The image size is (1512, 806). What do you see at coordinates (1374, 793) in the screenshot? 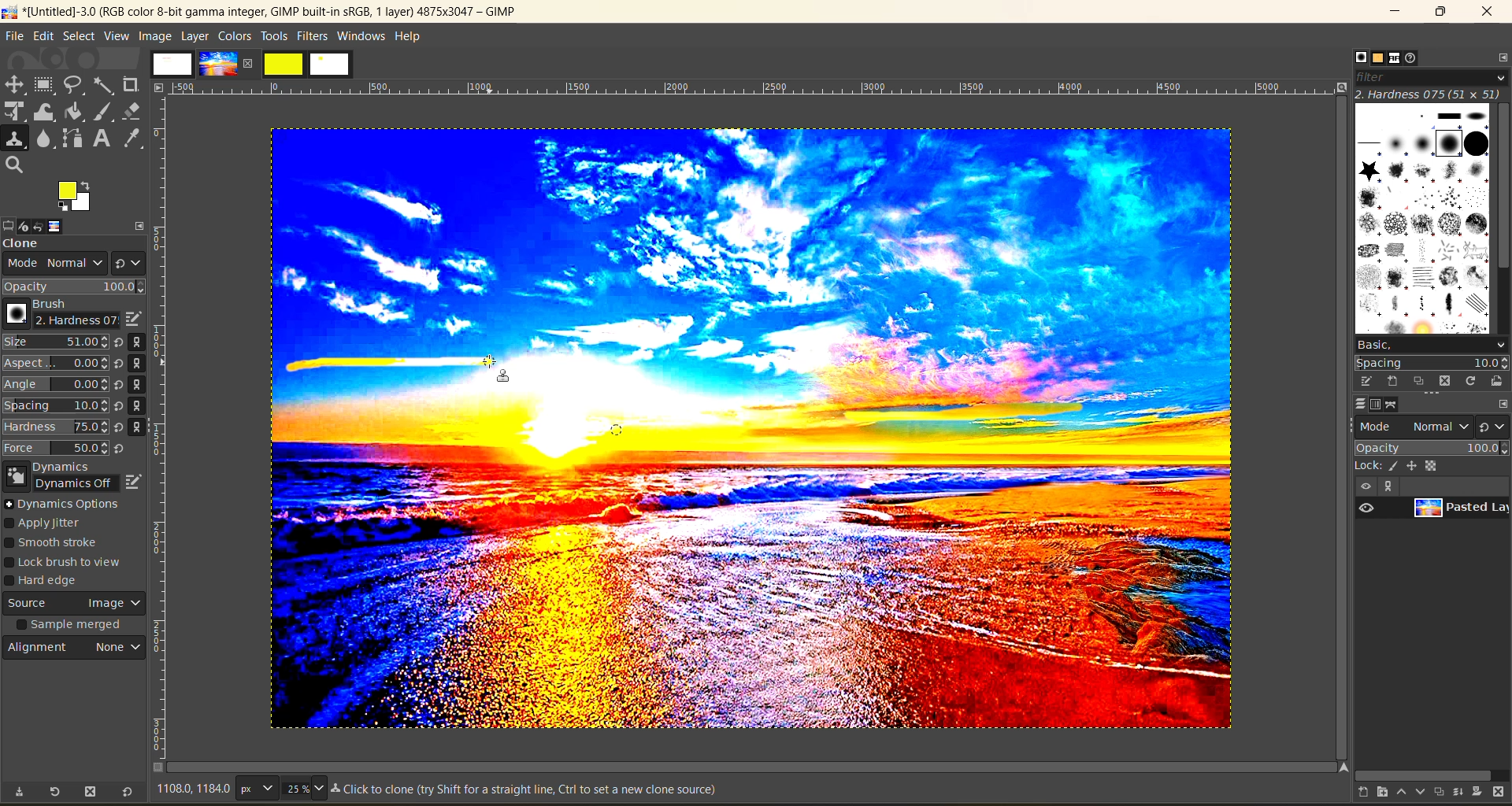
I see `create a new layer group` at bounding box center [1374, 793].